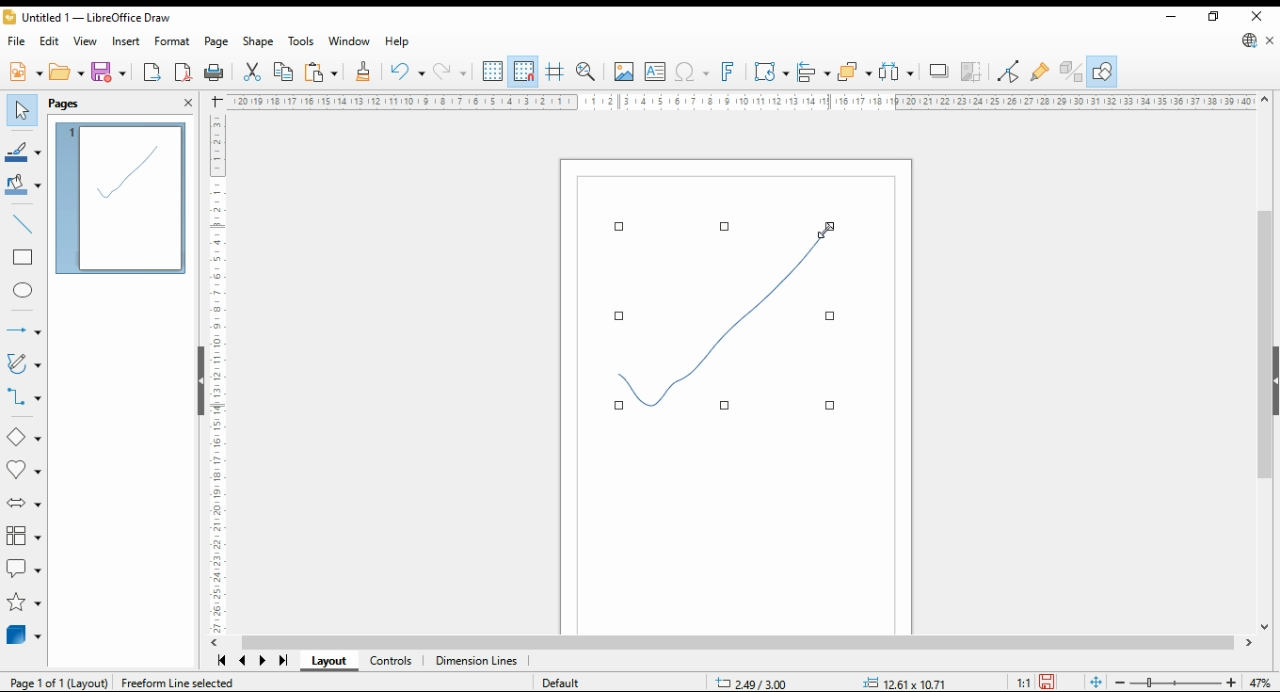 This screenshot has height=692, width=1280. What do you see at coordinates (586, 73) in the screenshot?
I see `zoom and pan` at bounding box center [586, 73].